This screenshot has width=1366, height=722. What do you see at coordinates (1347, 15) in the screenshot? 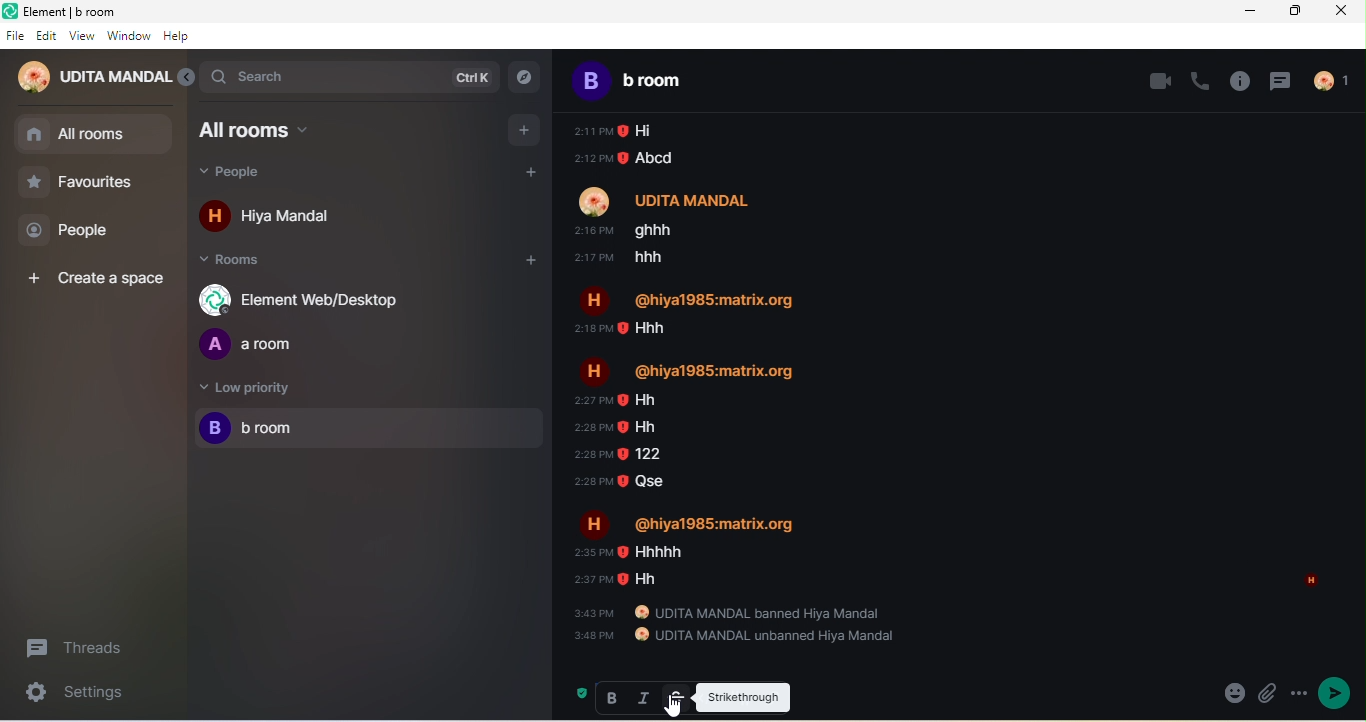
I see `close` at bounding box center [1347, 15].